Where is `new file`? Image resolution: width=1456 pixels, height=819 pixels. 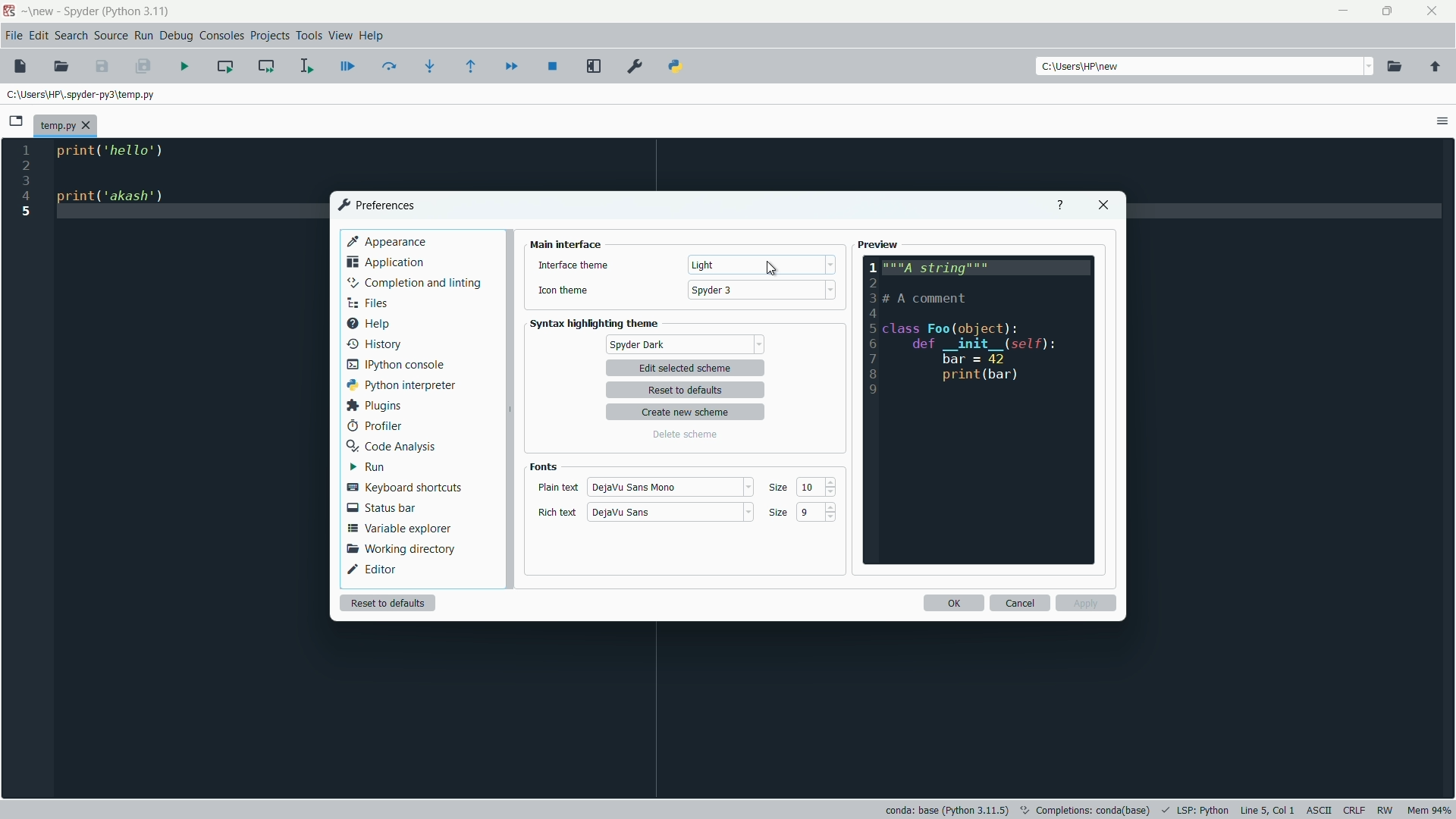
new file is located at coordinates (20, 66).